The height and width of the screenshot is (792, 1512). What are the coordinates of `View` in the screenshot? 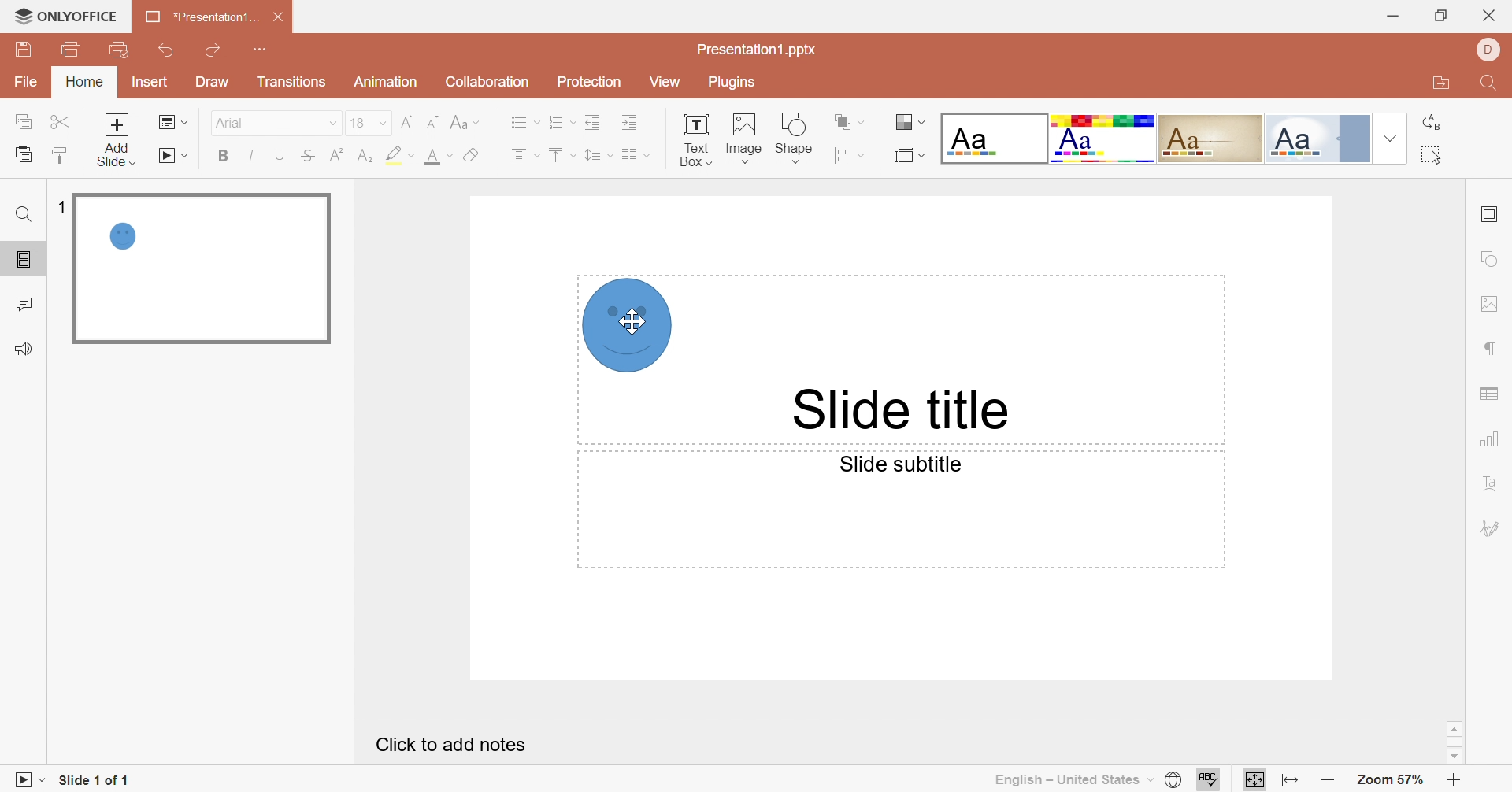 It's located at (664, 83).